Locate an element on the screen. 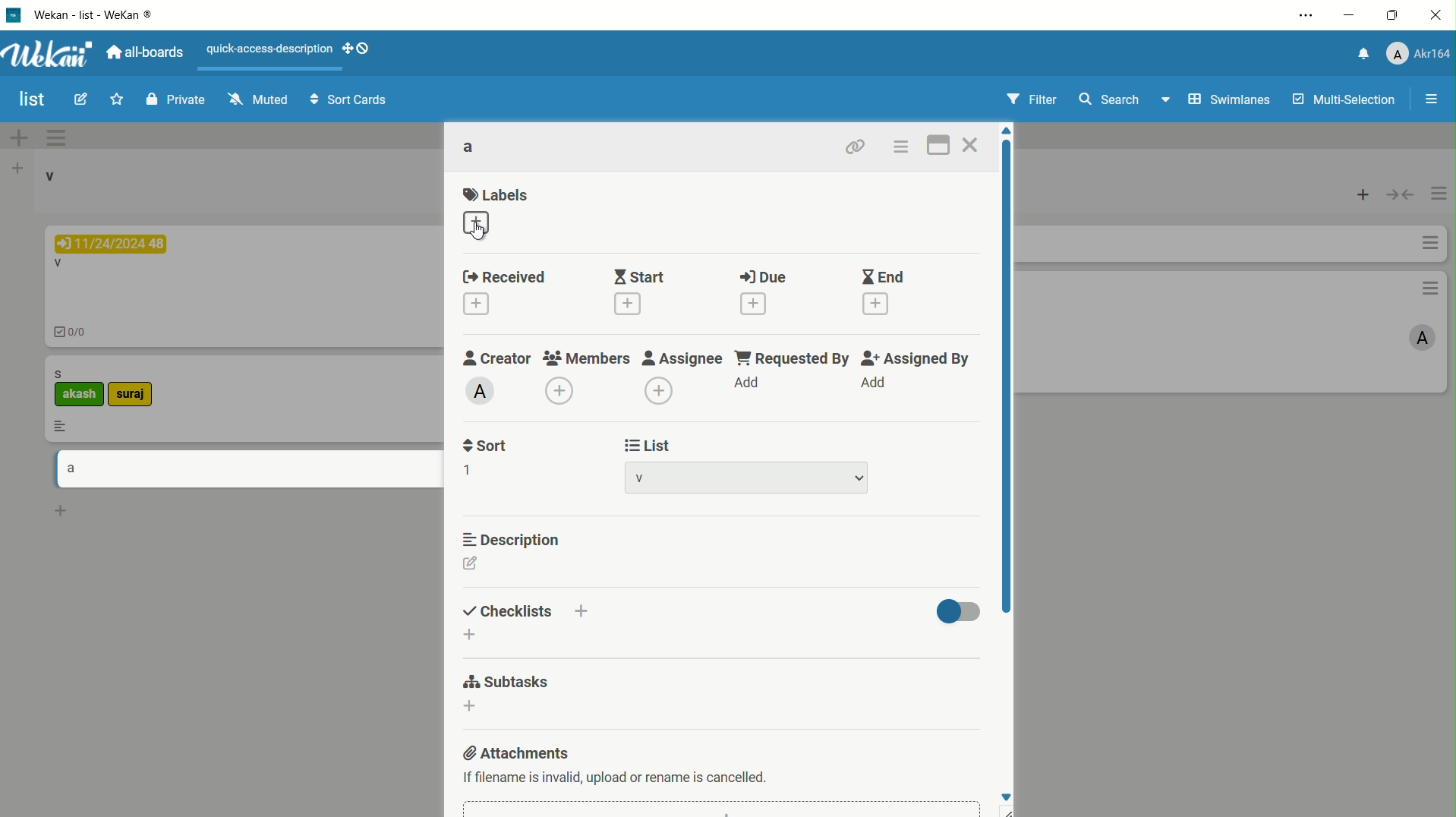 This screenshot has width=1456, height=817. add is located at coordinates (14, 172).